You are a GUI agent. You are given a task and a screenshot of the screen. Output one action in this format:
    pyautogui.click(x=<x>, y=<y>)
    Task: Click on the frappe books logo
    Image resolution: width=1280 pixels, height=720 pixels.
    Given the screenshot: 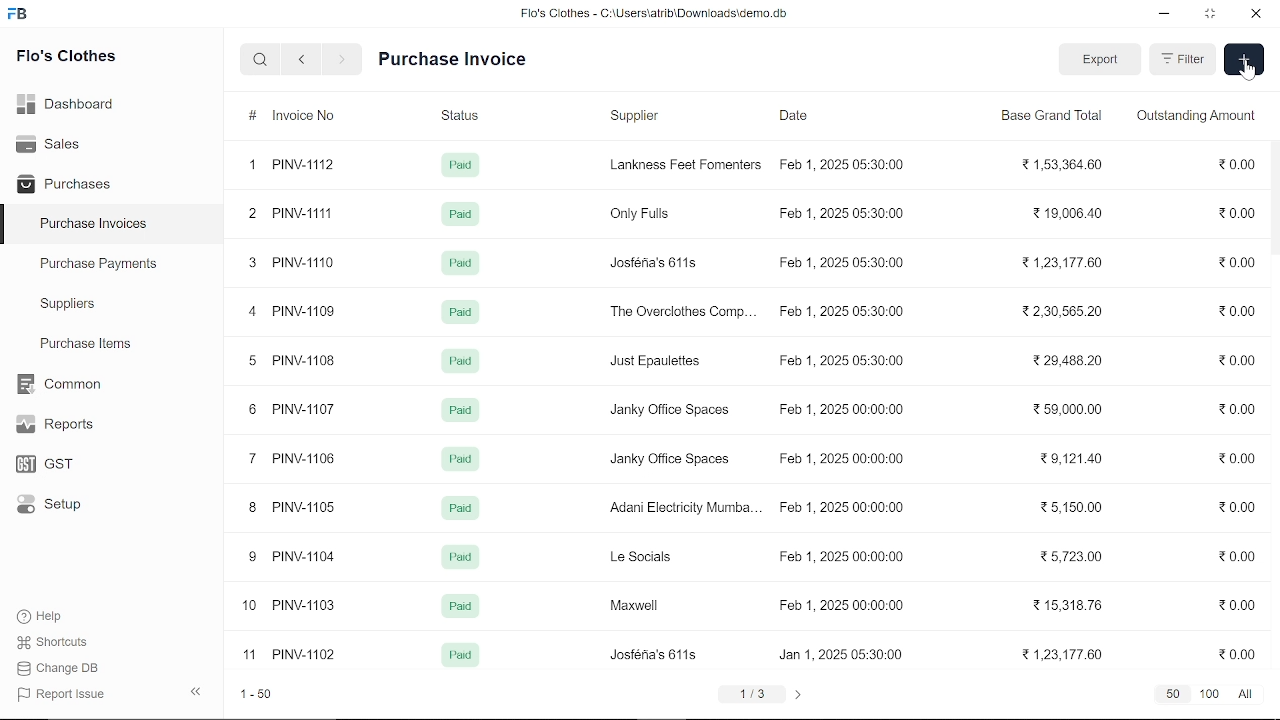 What is the action you would take?
    pyautogui.click(x=22, y=15)
    